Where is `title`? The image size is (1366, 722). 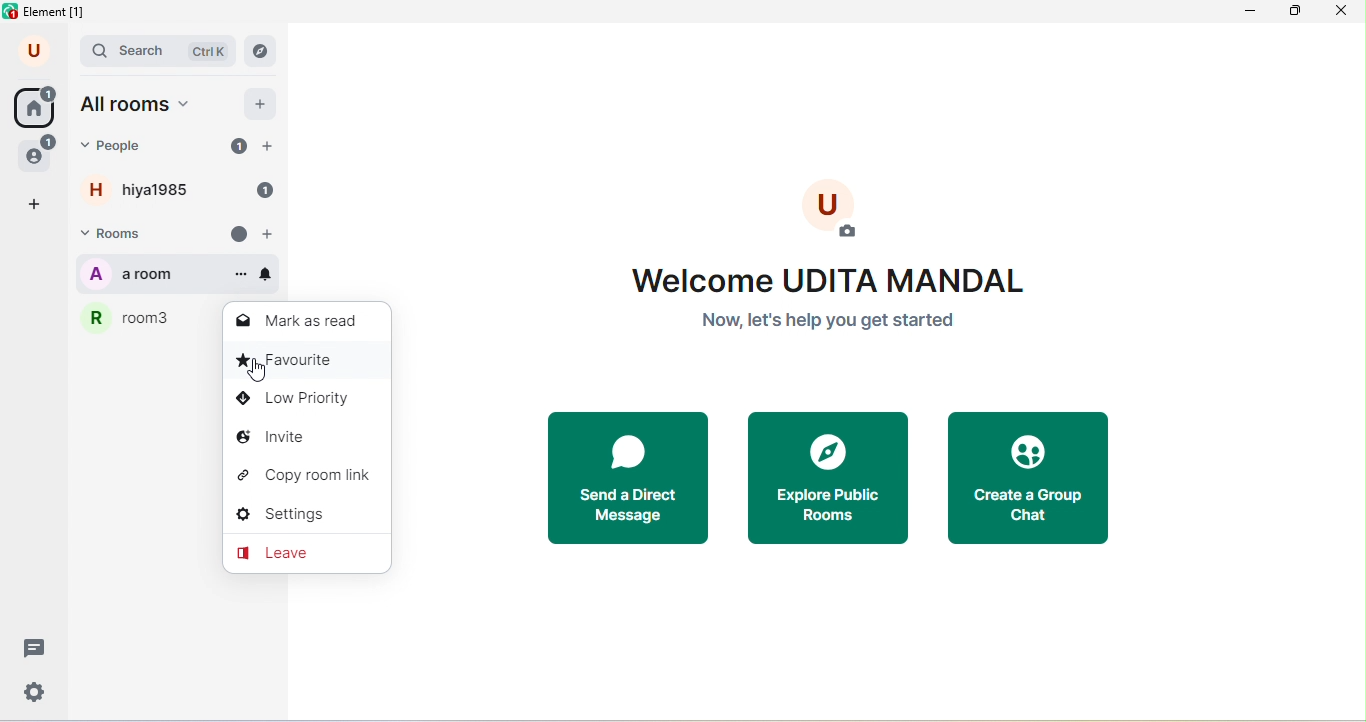 title is located at coordinates (49, 13).